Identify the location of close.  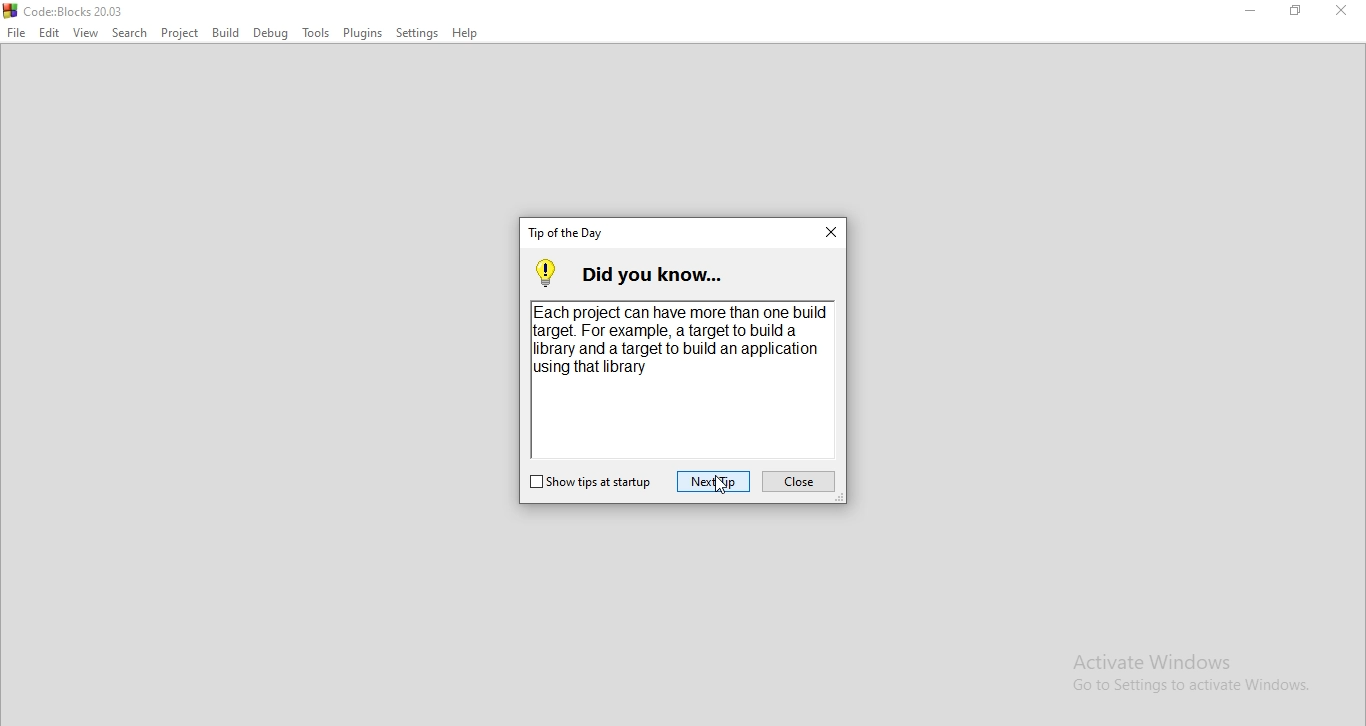
(830, 234).